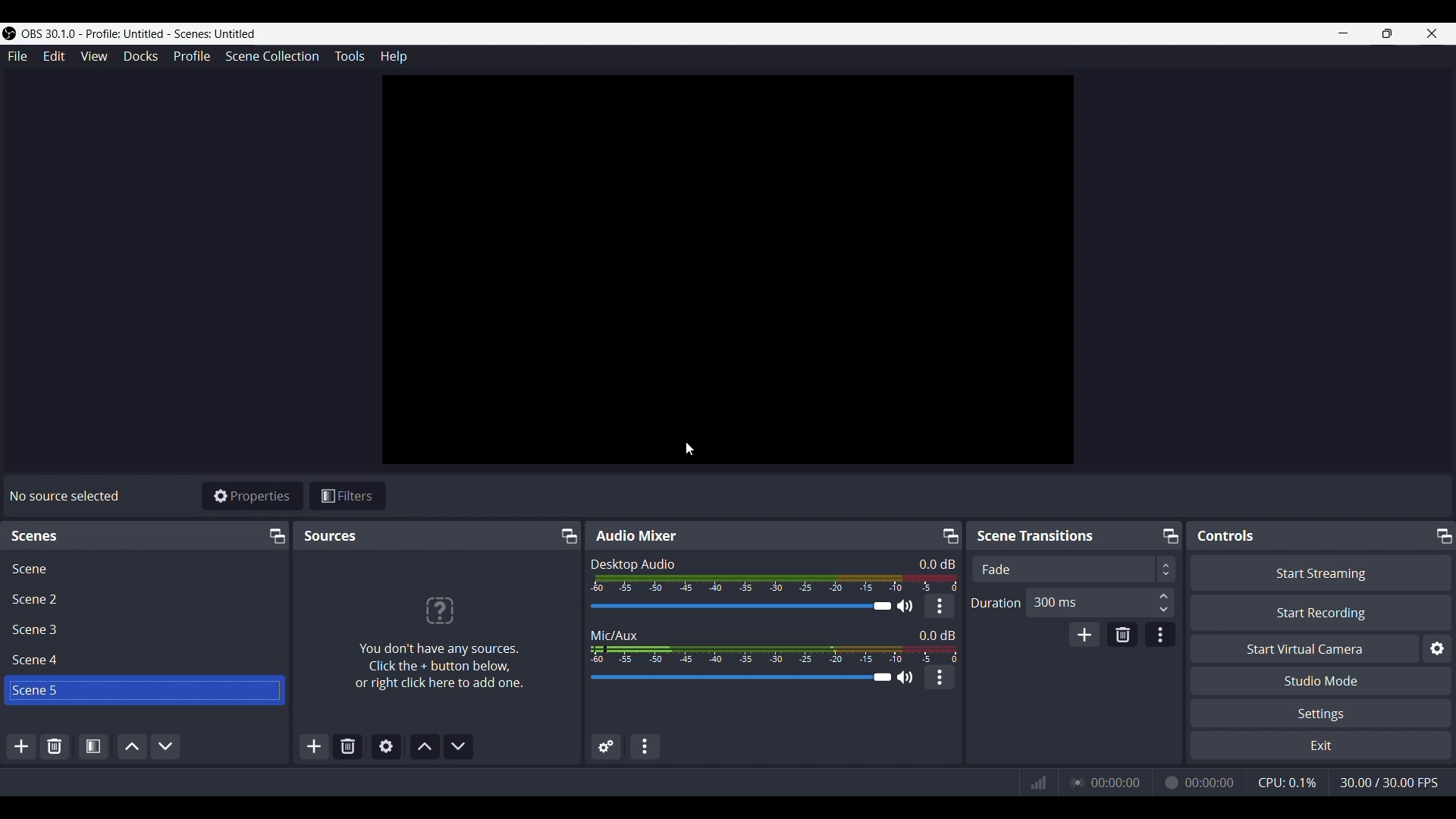 The image size is (1456, 819). Describe the element at coordinates (348, 747) in the screenshot. I see `Remove Selected Source` at that location.